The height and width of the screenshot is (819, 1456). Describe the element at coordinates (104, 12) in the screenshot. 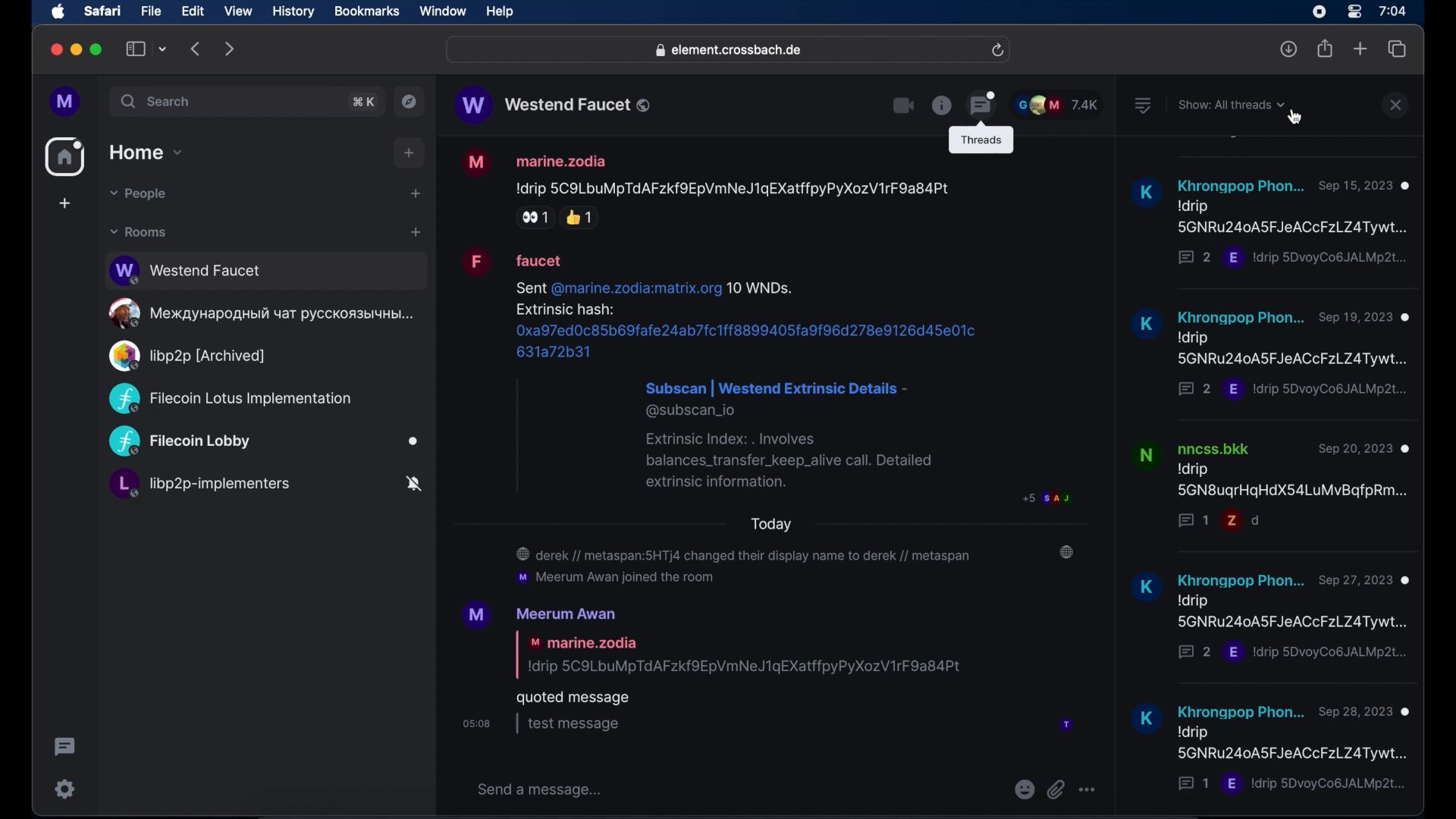

I see `safari` at that location.